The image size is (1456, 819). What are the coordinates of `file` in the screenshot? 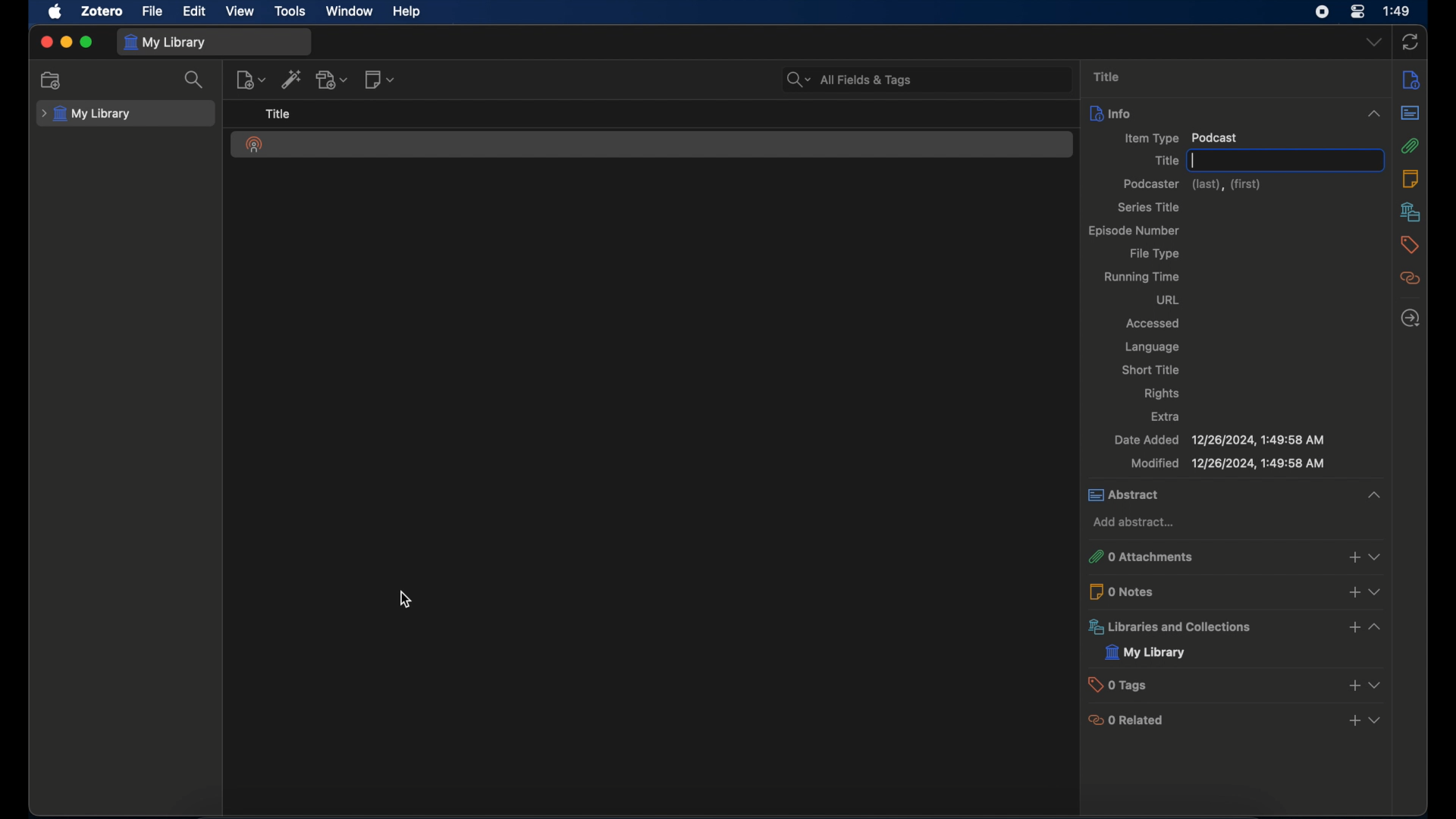 It's located at (153, 12).